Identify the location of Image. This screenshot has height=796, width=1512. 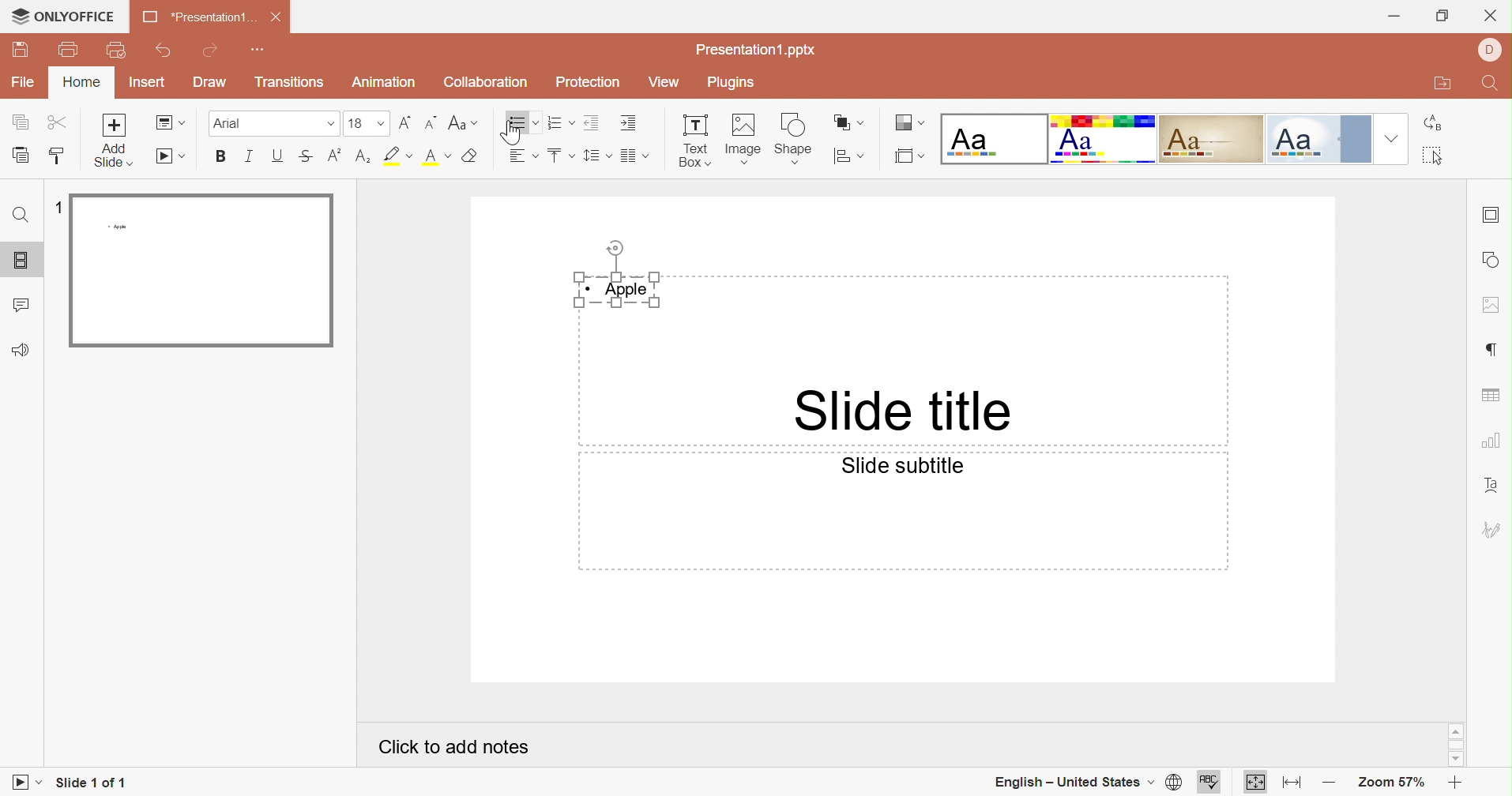
(745, 138).